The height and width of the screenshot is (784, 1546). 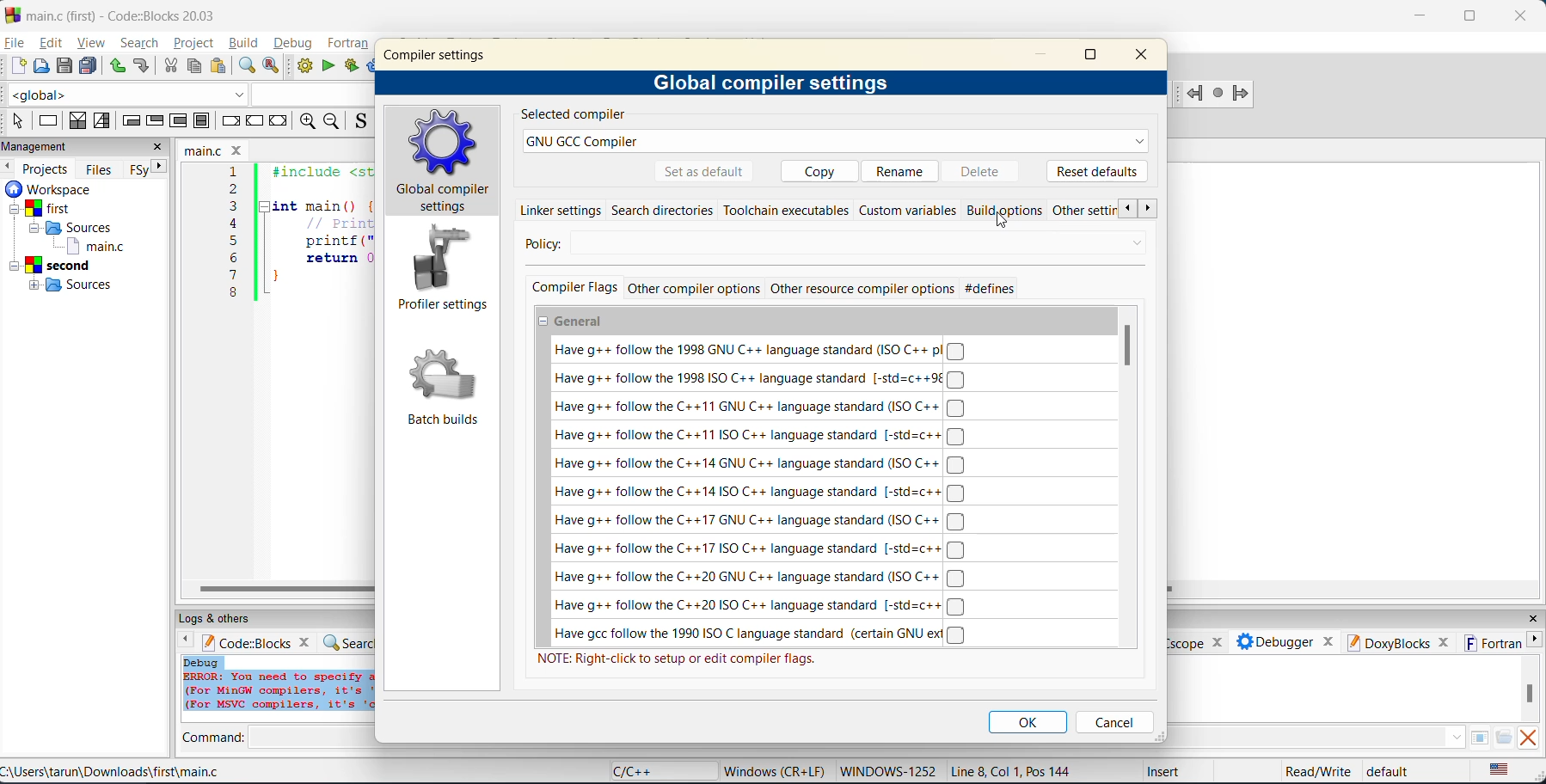 I want to click on main.c (first) - Code::Blocks 20.03, so click(x=116, y=15).